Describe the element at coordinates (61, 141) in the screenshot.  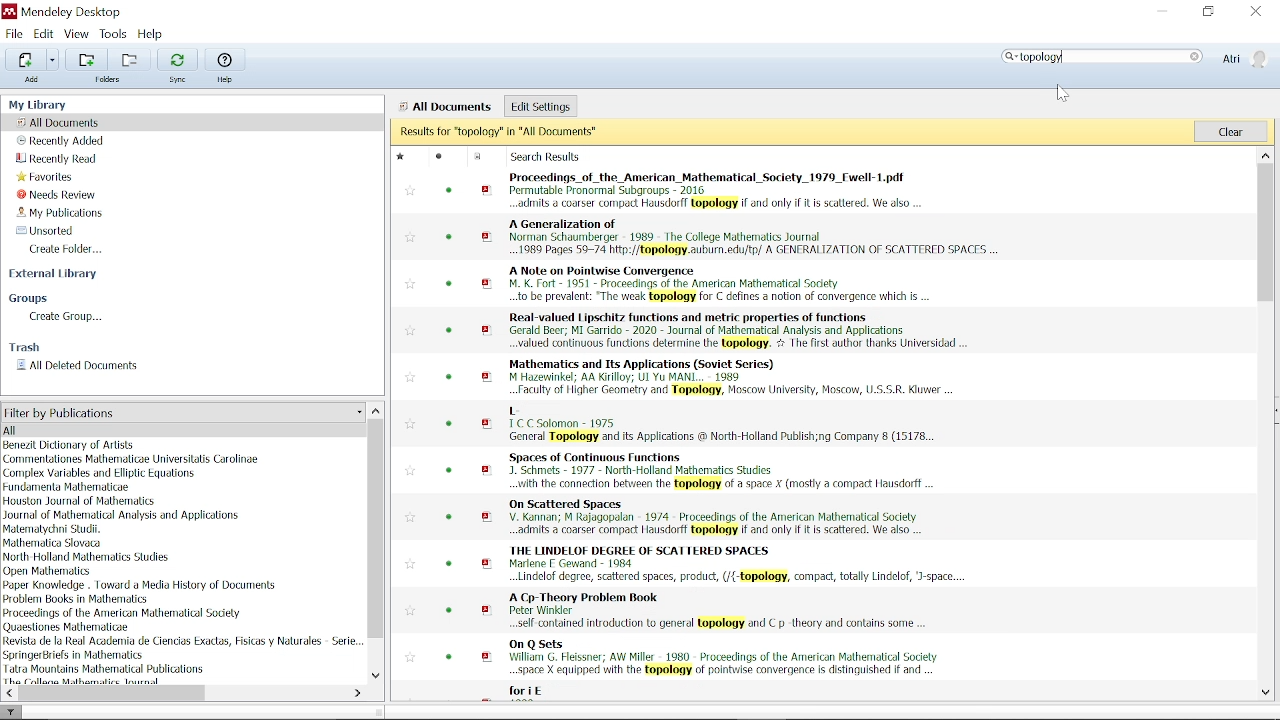
I see `Recently Added` at that location.